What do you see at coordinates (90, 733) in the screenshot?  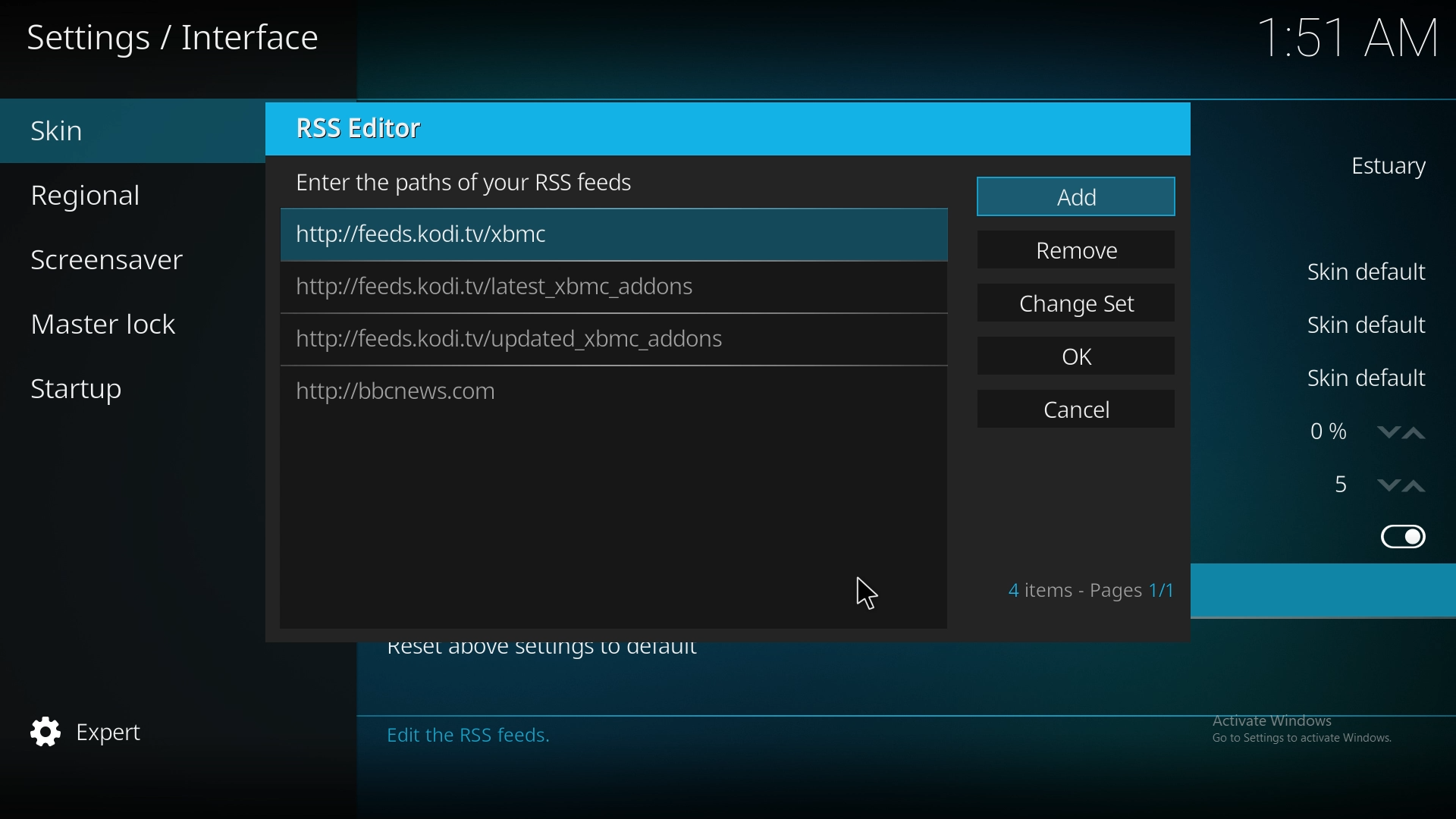 I see `Expert` at bounding box center [90, 733].